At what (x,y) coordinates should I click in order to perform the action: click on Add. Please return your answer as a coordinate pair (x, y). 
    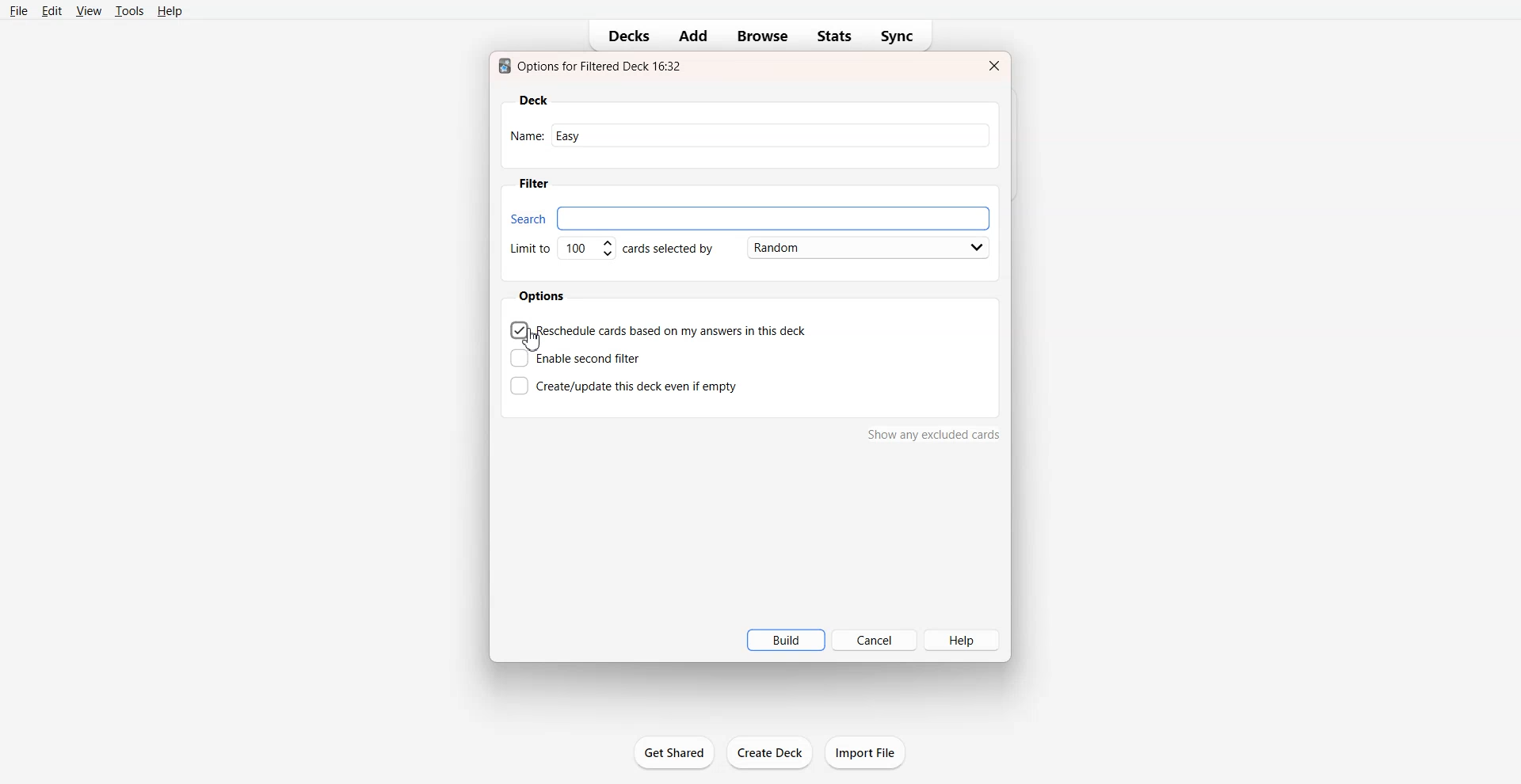
    Looking at the image, I should click on (692, 36).